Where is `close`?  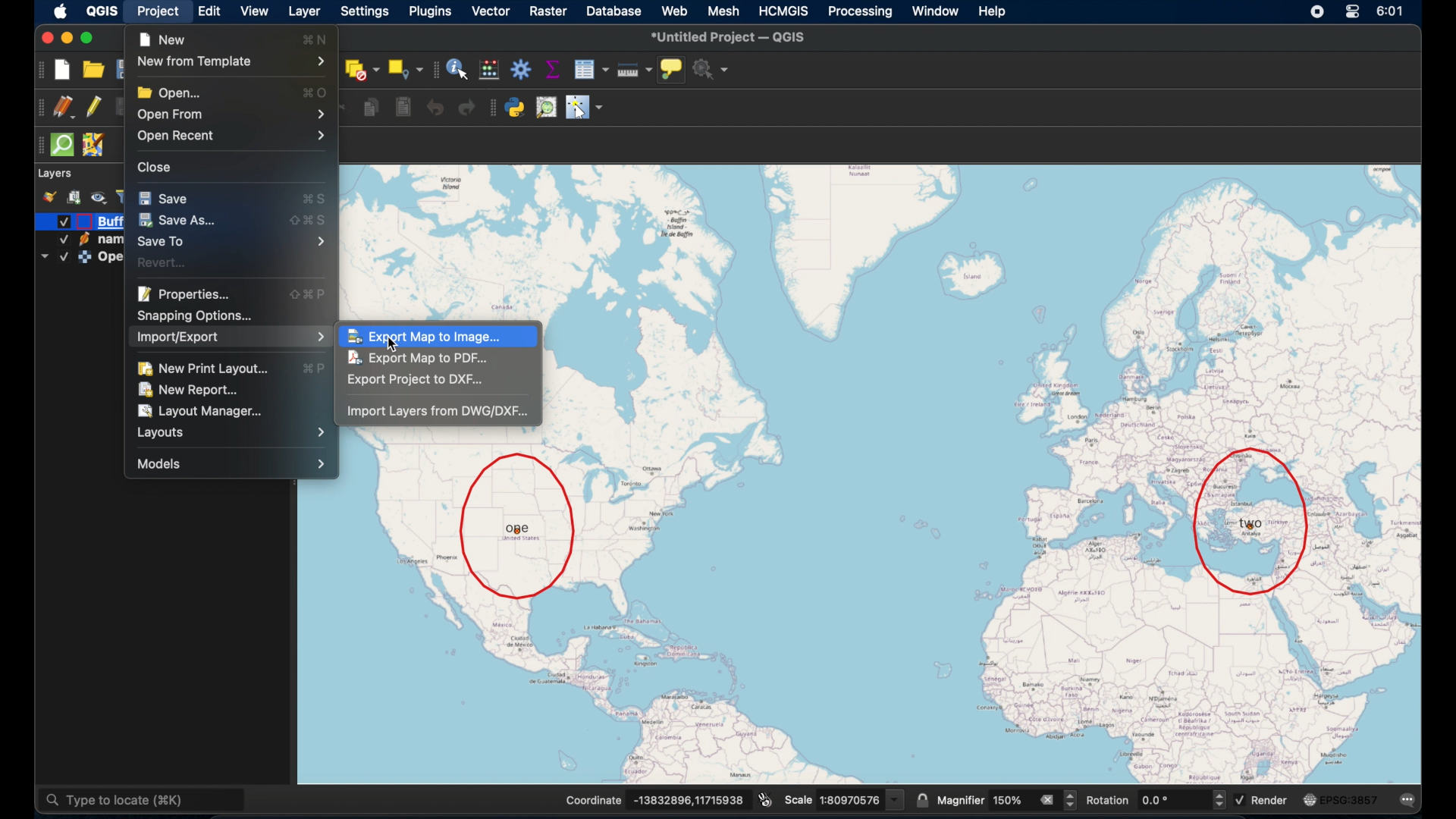 close is located at coordinates (45, 36).